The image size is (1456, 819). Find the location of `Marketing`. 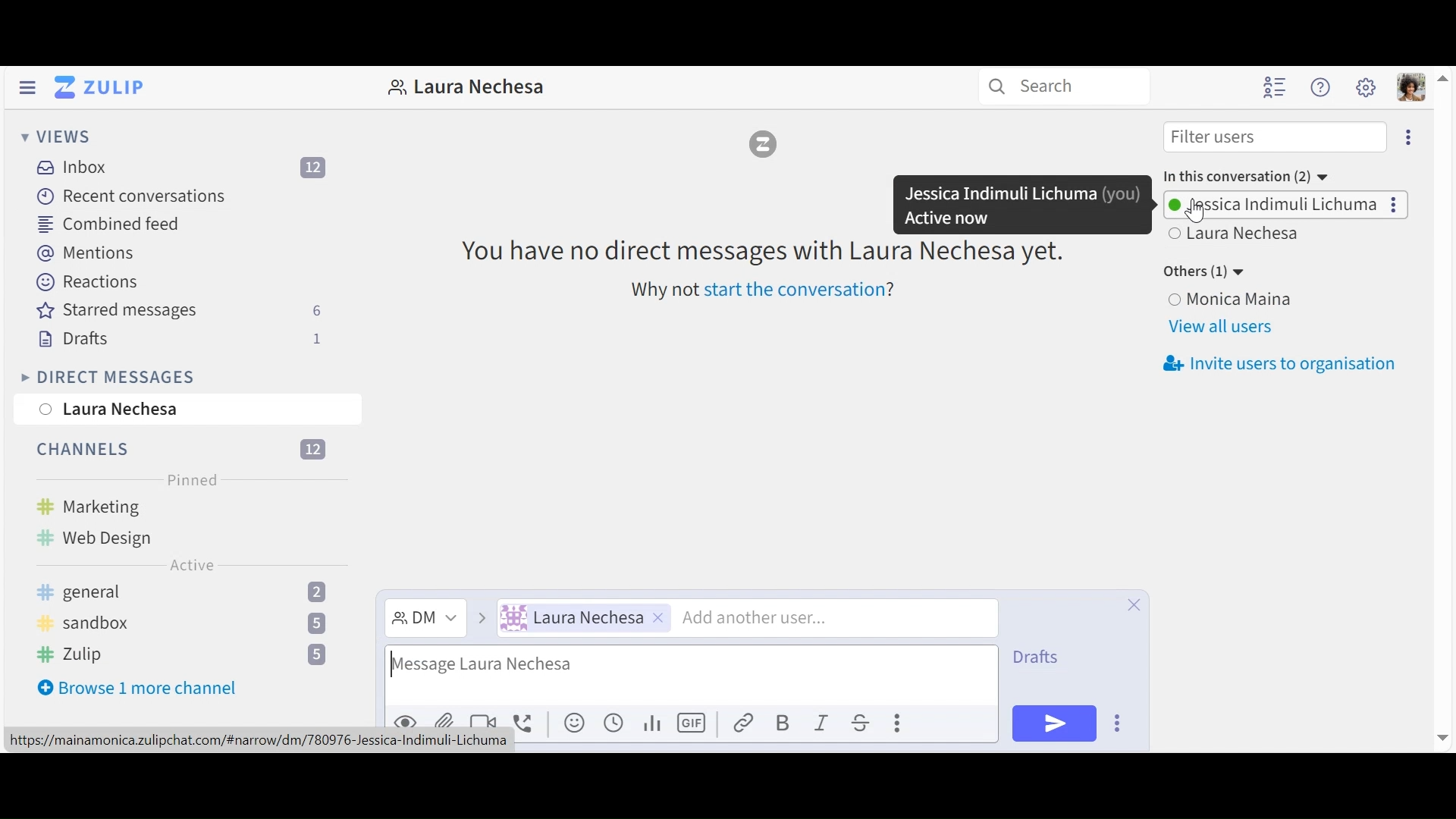

Marketing is located at coordinates (116, 507).